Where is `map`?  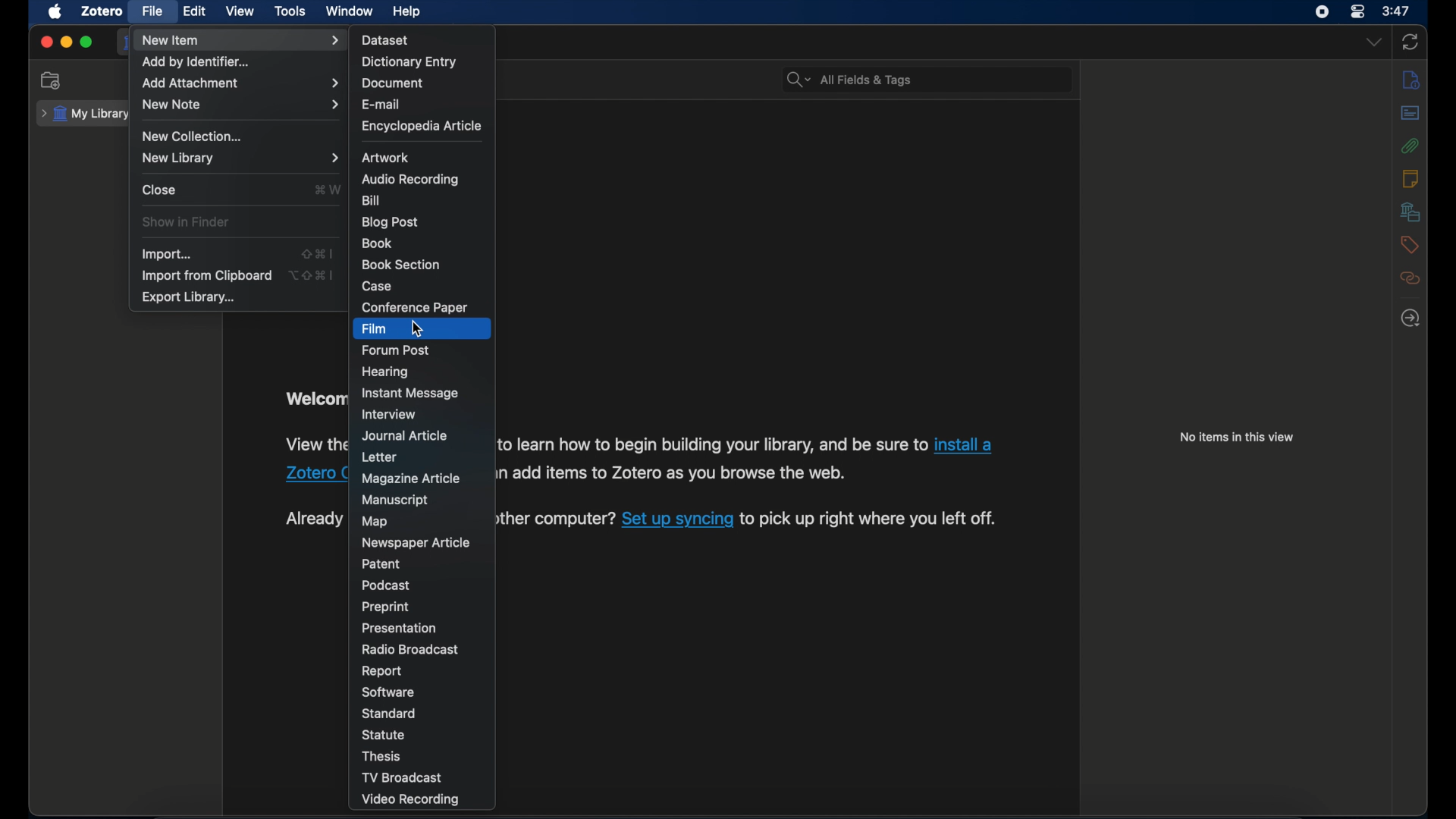 map is located at coordinates (375, 522).